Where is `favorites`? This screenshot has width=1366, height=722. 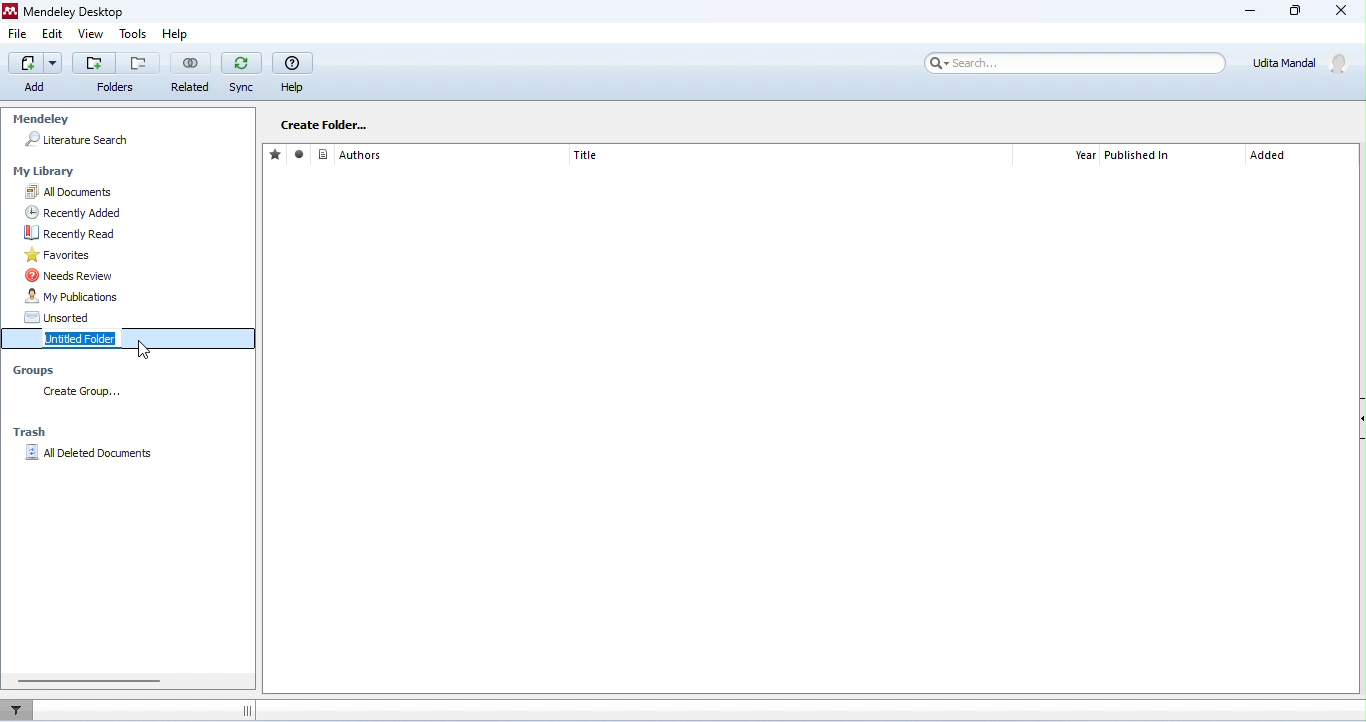 favorites is located at coordinates (134, 255).